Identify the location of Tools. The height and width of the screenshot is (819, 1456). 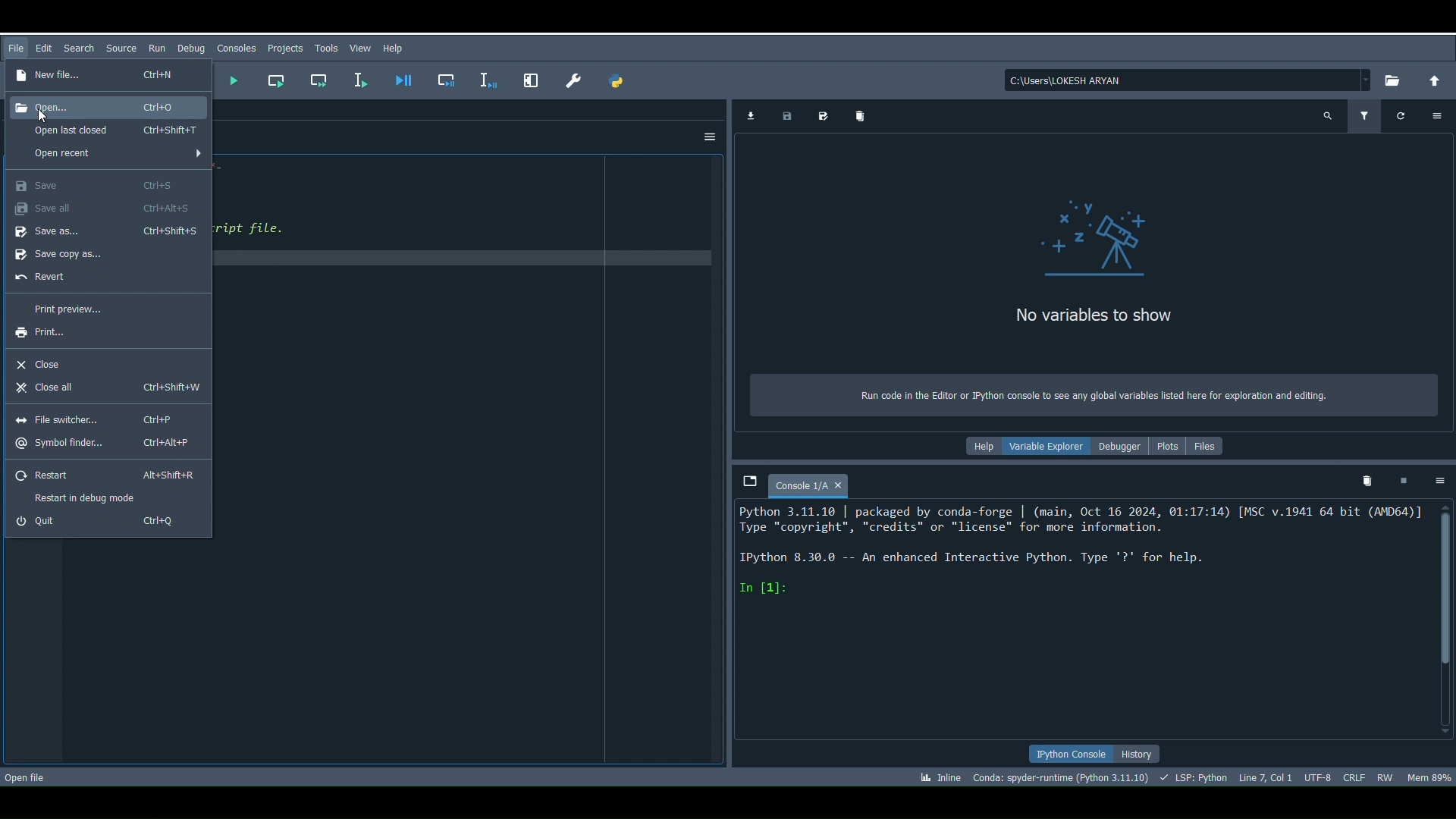
(324, 50).